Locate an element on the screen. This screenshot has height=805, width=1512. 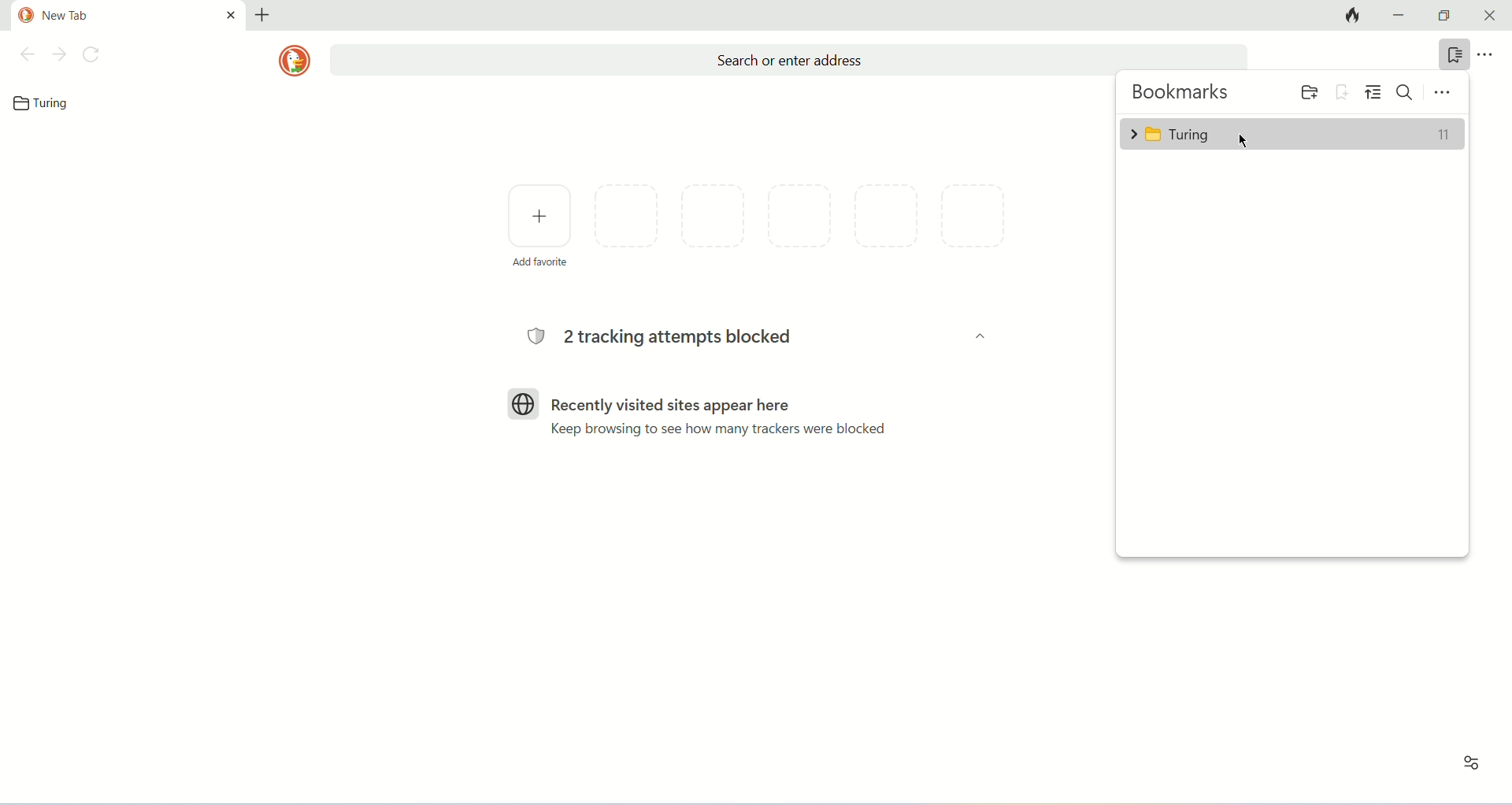
close is located at coordinates (1491, 16).